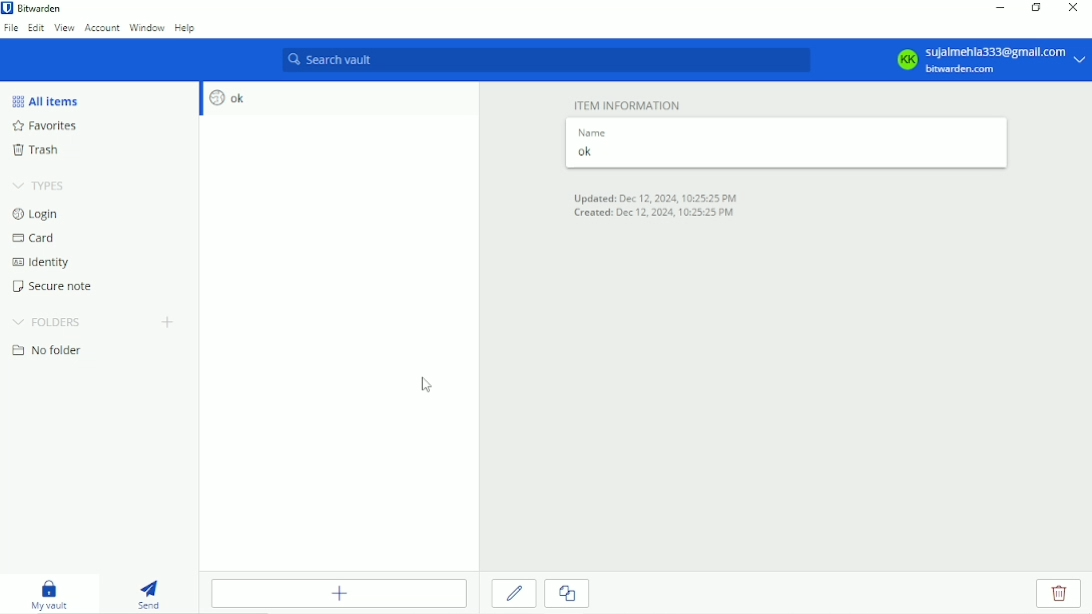 This screenshot has height=614, width=1092. I want to click on Card, so click(38, 240).